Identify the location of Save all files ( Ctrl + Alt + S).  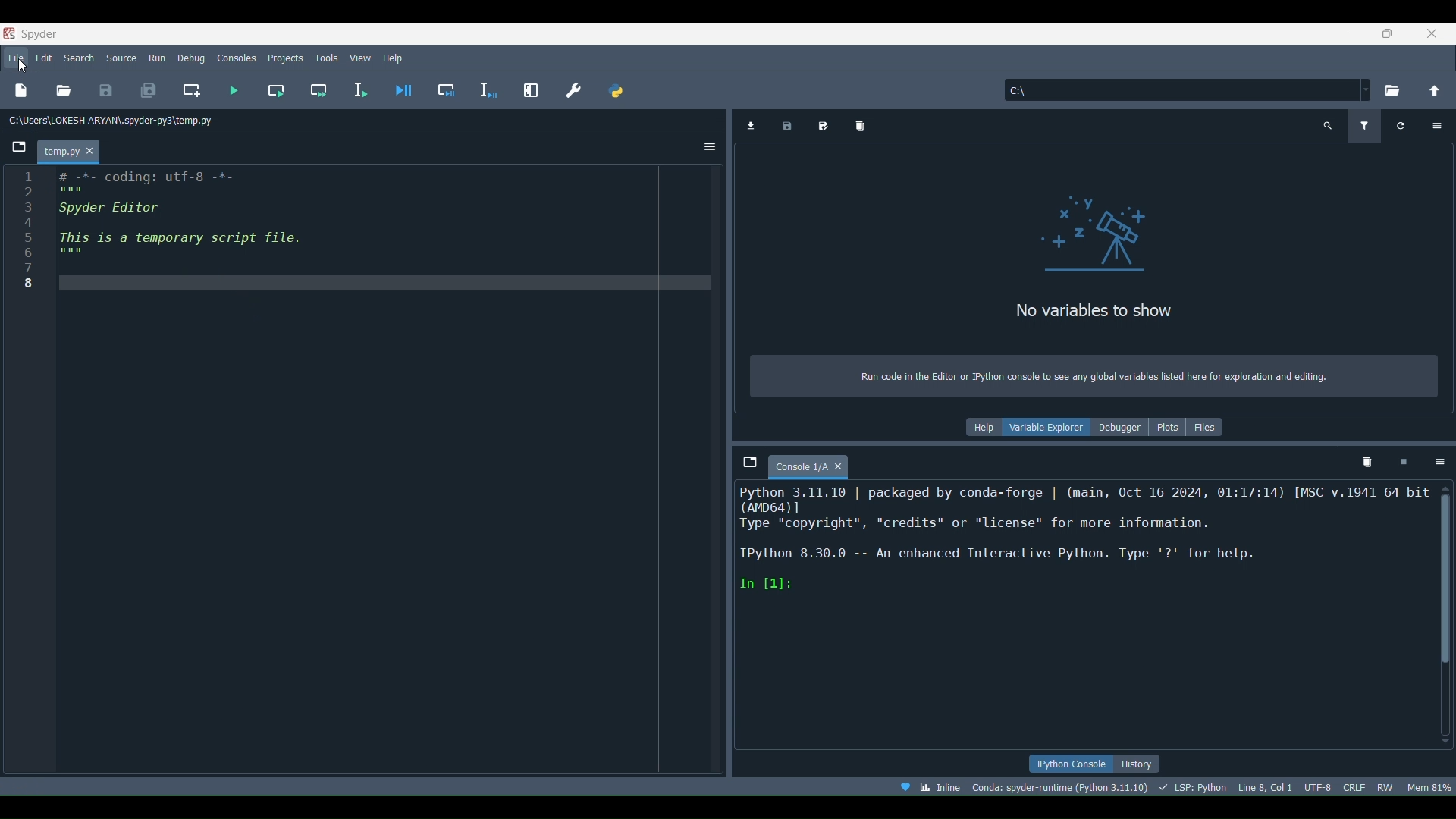
(143, 91).